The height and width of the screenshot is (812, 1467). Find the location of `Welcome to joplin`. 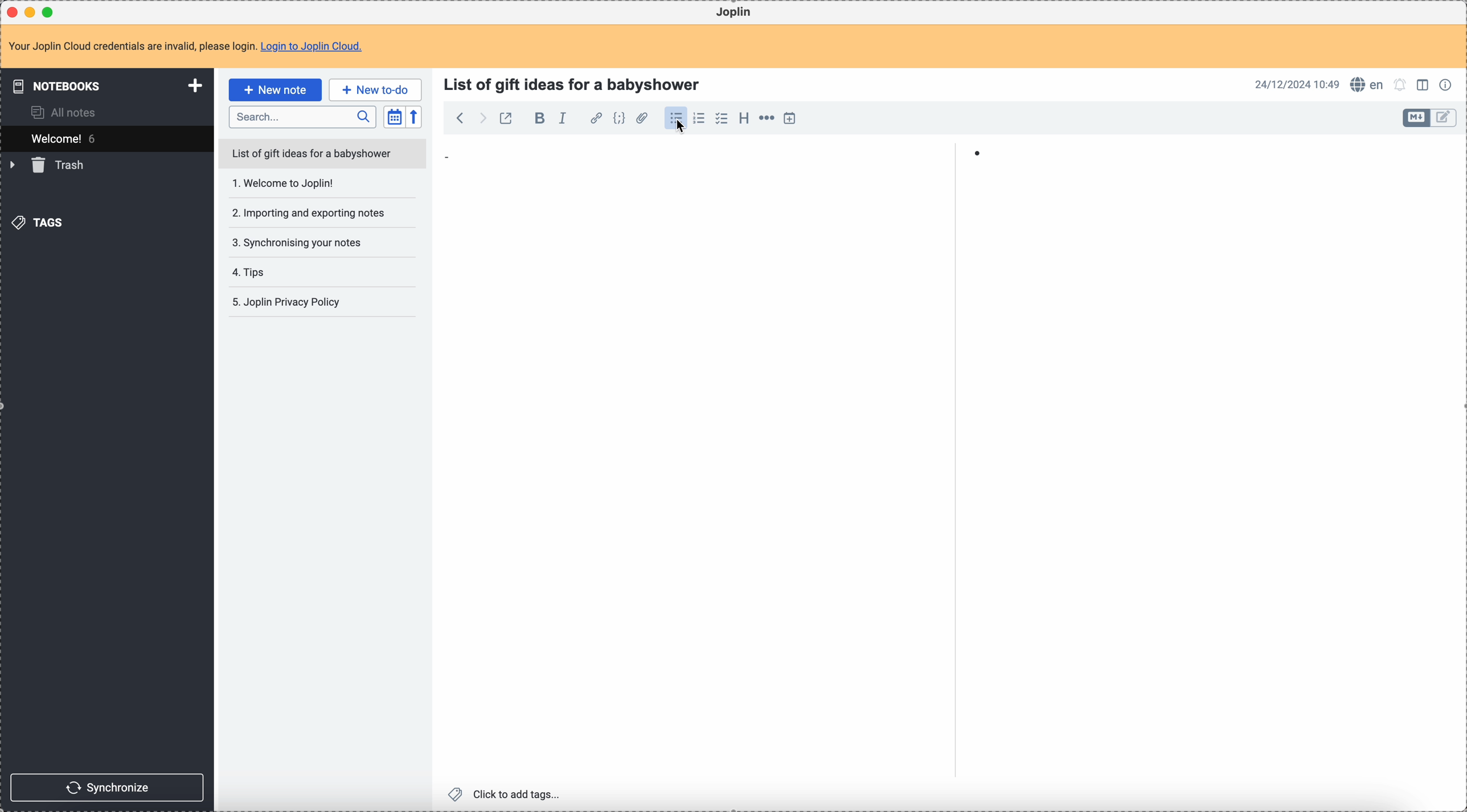

Welcome to joplin is located at coordinates (310, 186).